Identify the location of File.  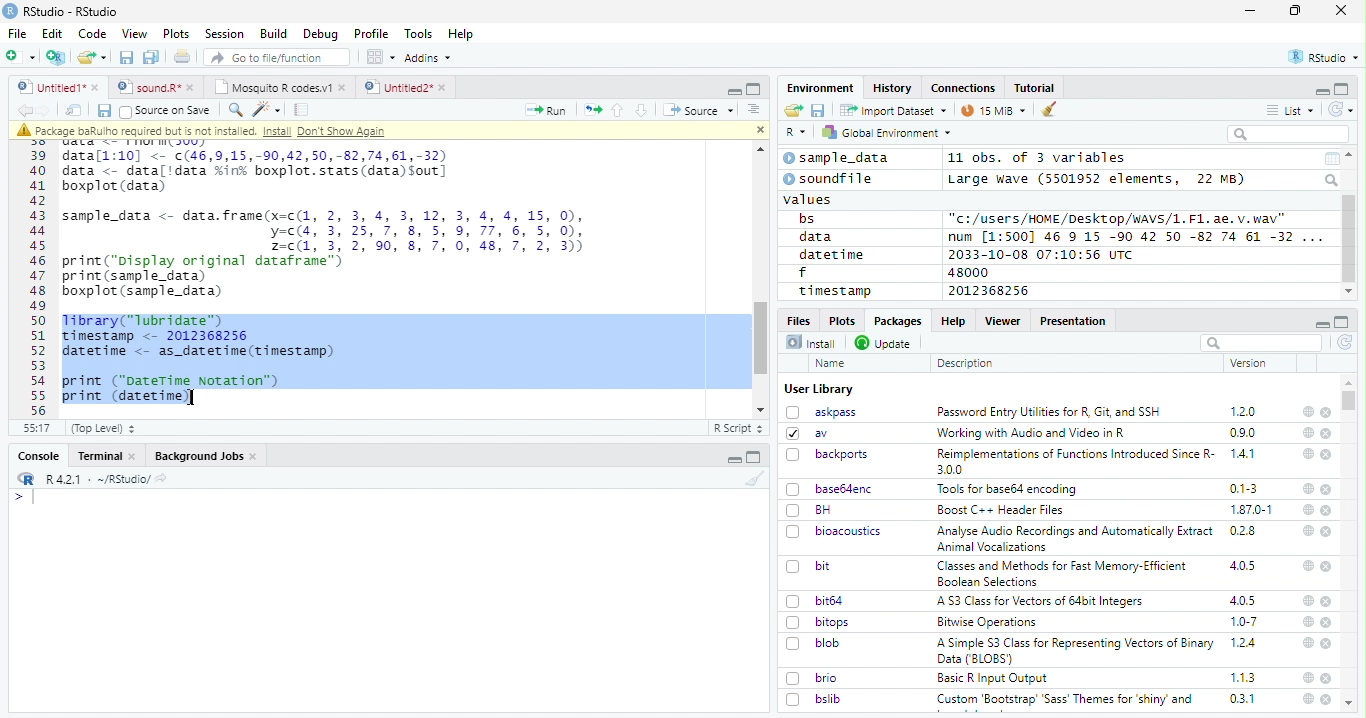
(16, 33).